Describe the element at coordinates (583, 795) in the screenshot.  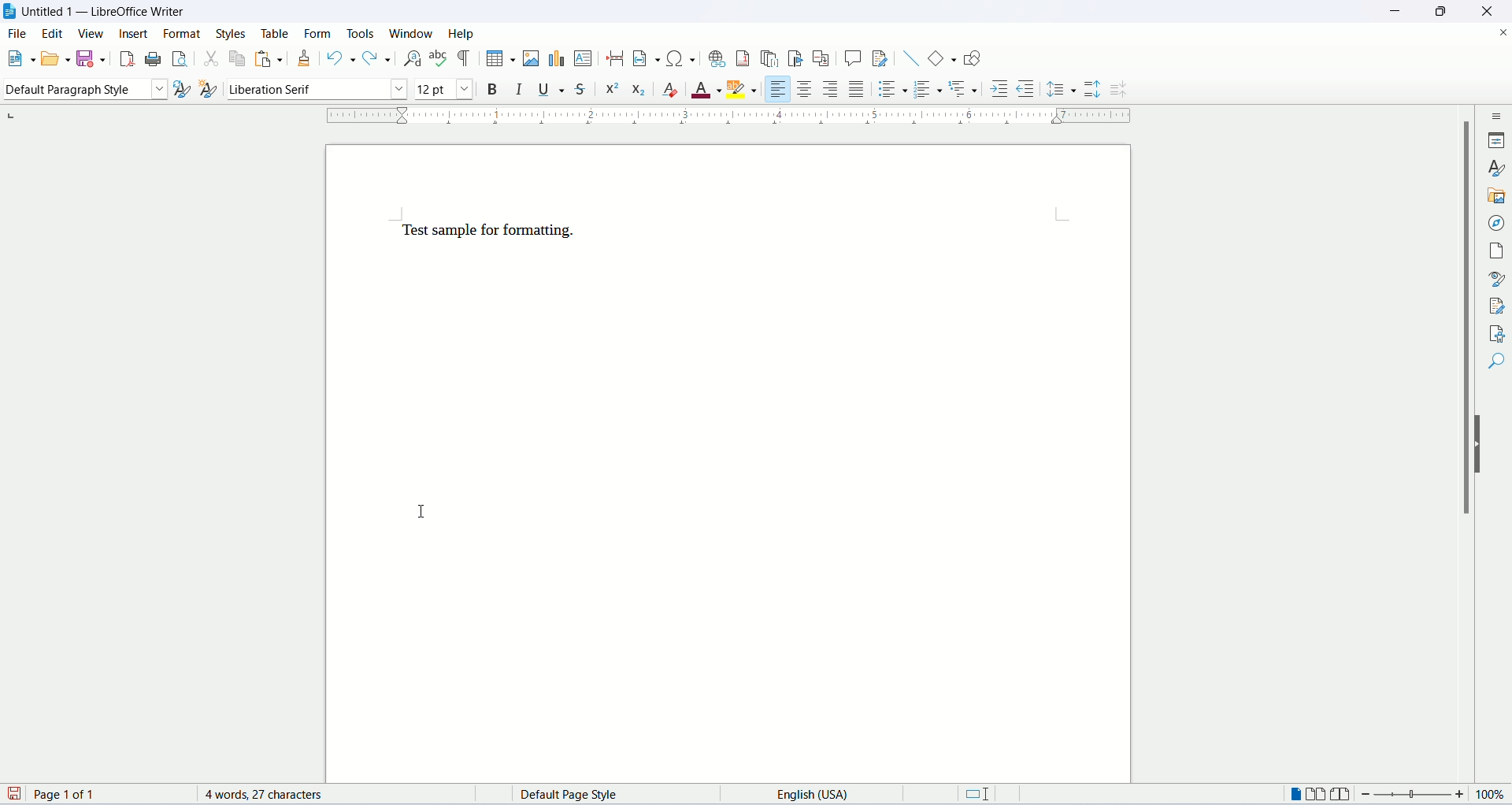
I see `default page style` at that location.